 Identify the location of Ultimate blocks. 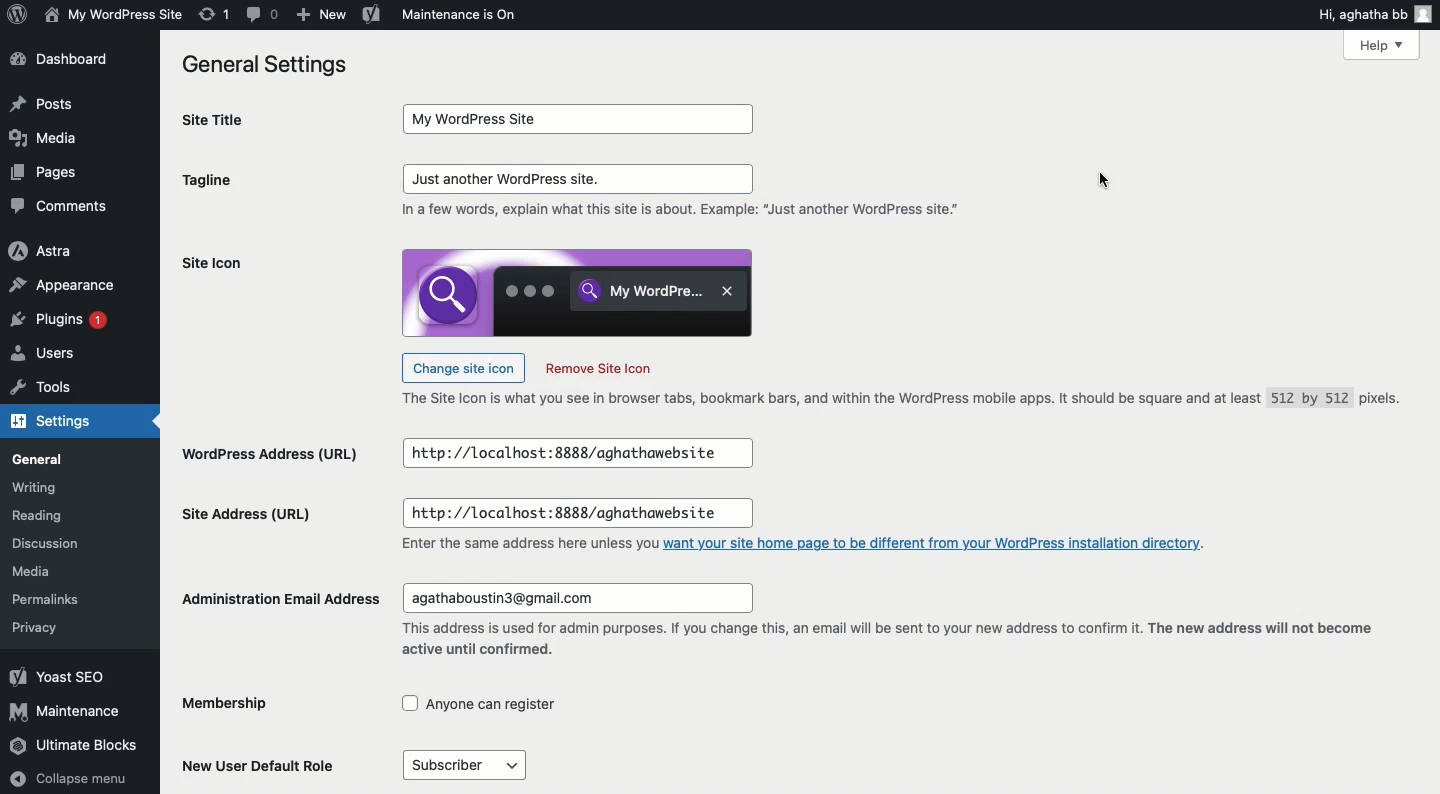
(76, 747).